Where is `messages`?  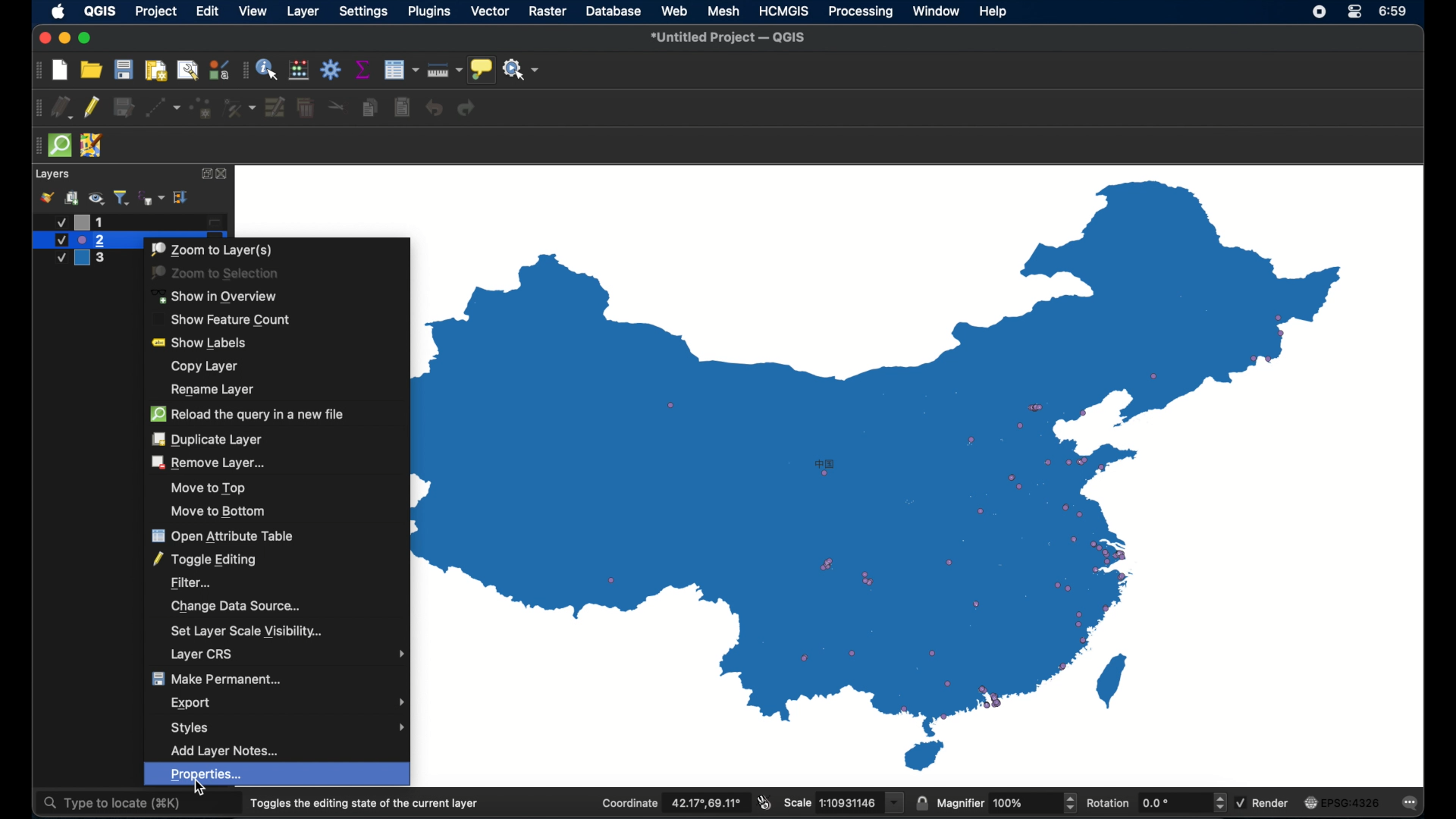 messages is located at coordinates (1411, 804).